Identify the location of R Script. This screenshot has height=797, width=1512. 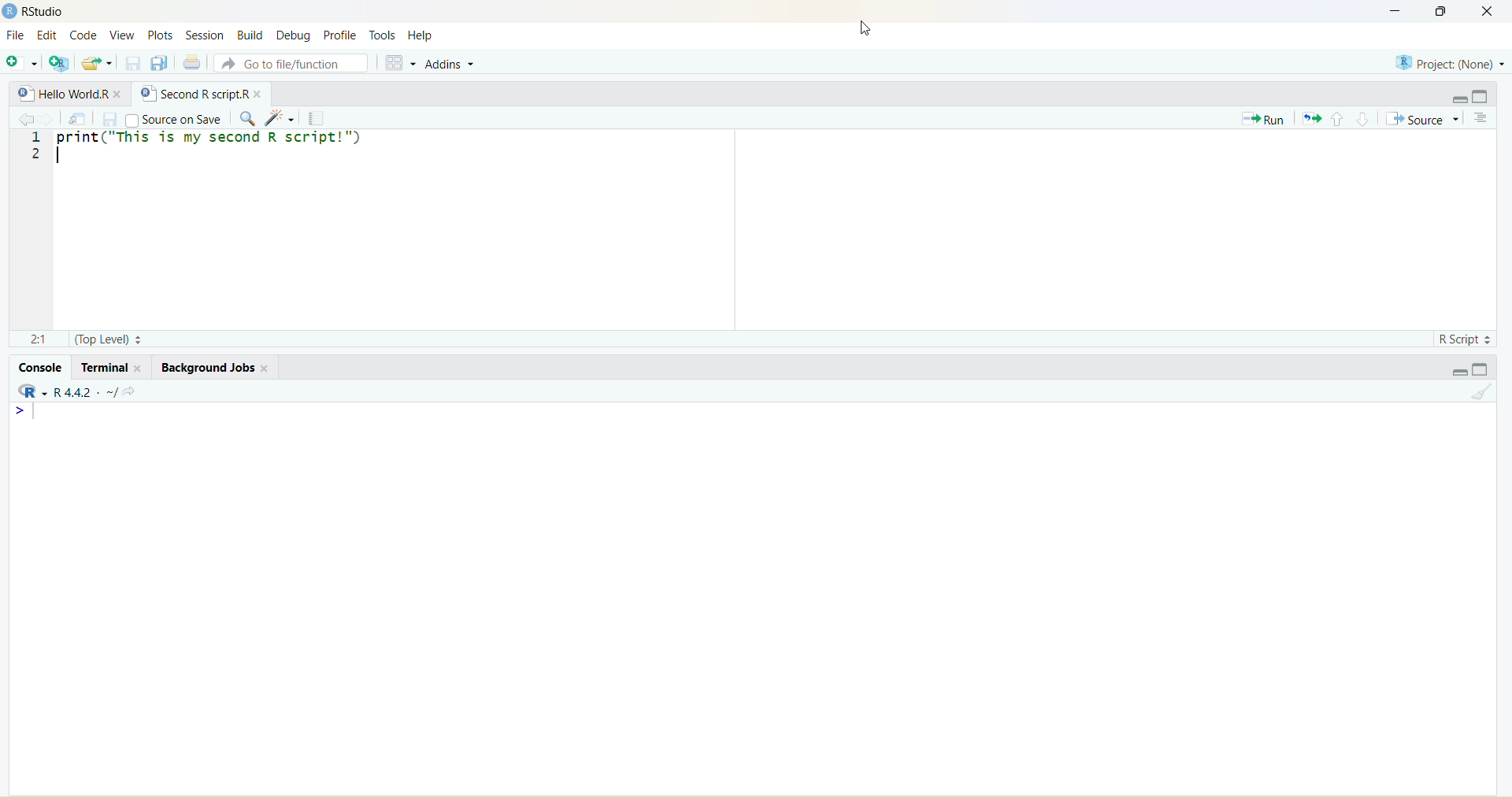
(1462, 337).